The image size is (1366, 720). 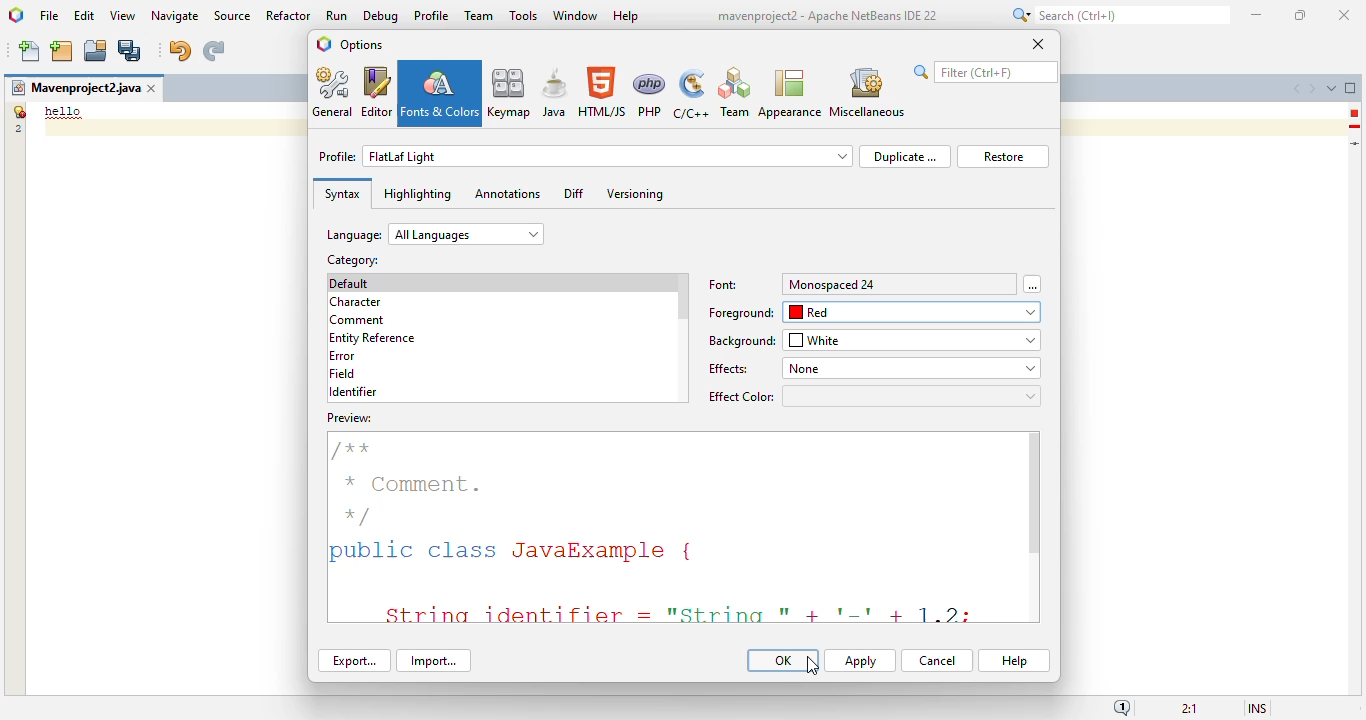 I want to click on duplicate, so click(x=904, y=156).